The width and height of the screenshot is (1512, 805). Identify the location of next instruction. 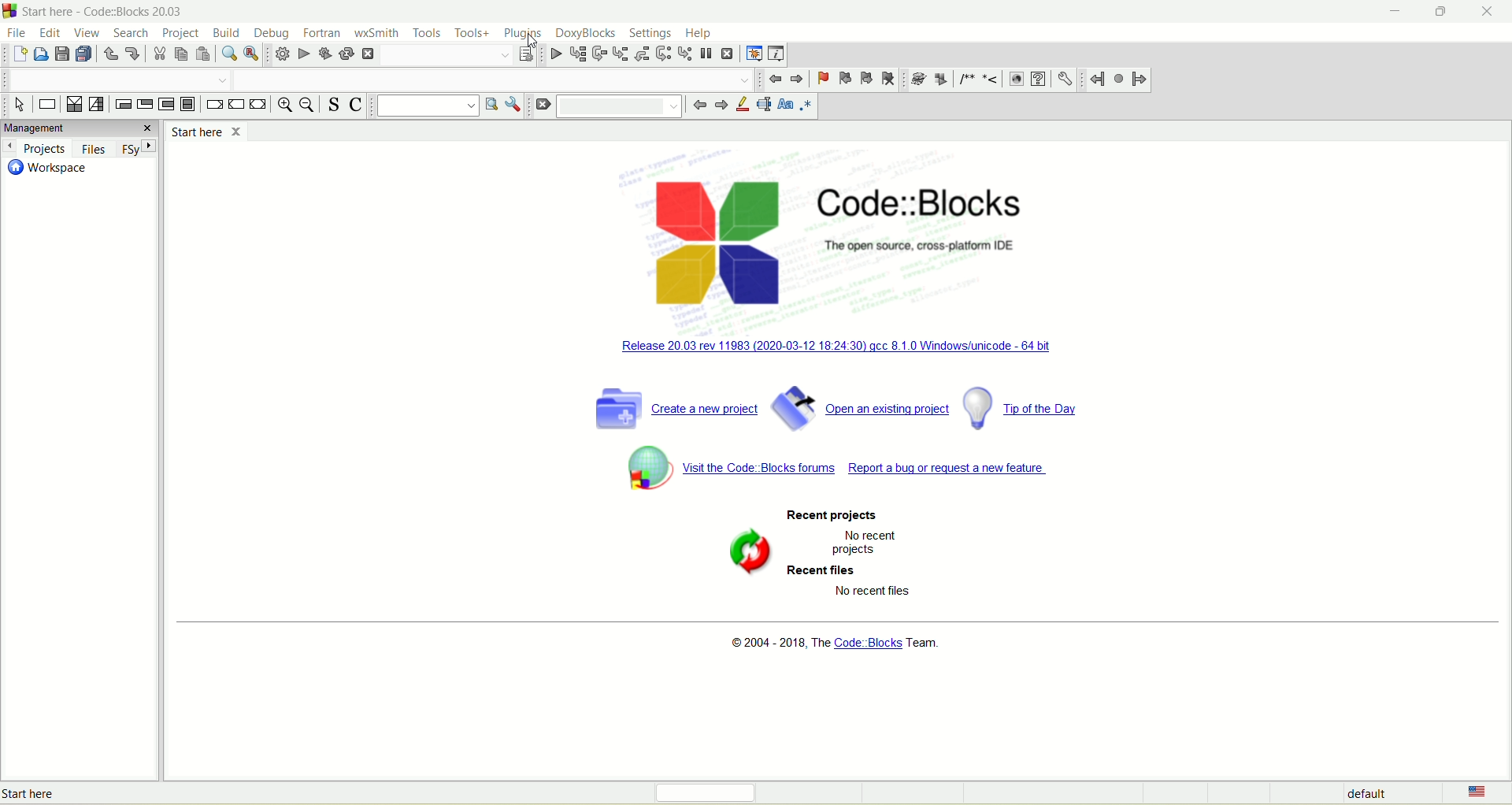
(664, 54).